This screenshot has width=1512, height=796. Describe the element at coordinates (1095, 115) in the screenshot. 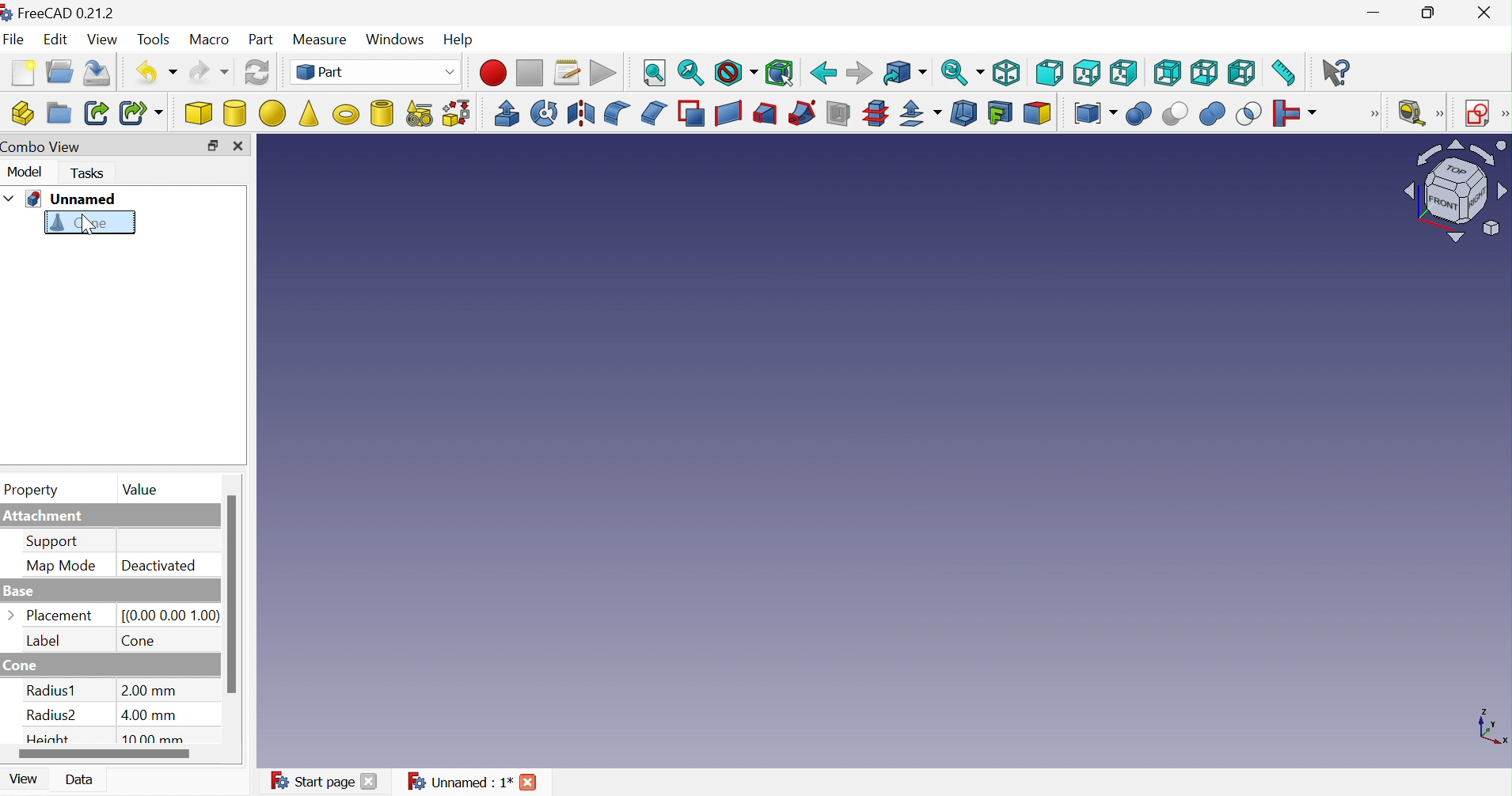

I see `Compound tools` at that location.